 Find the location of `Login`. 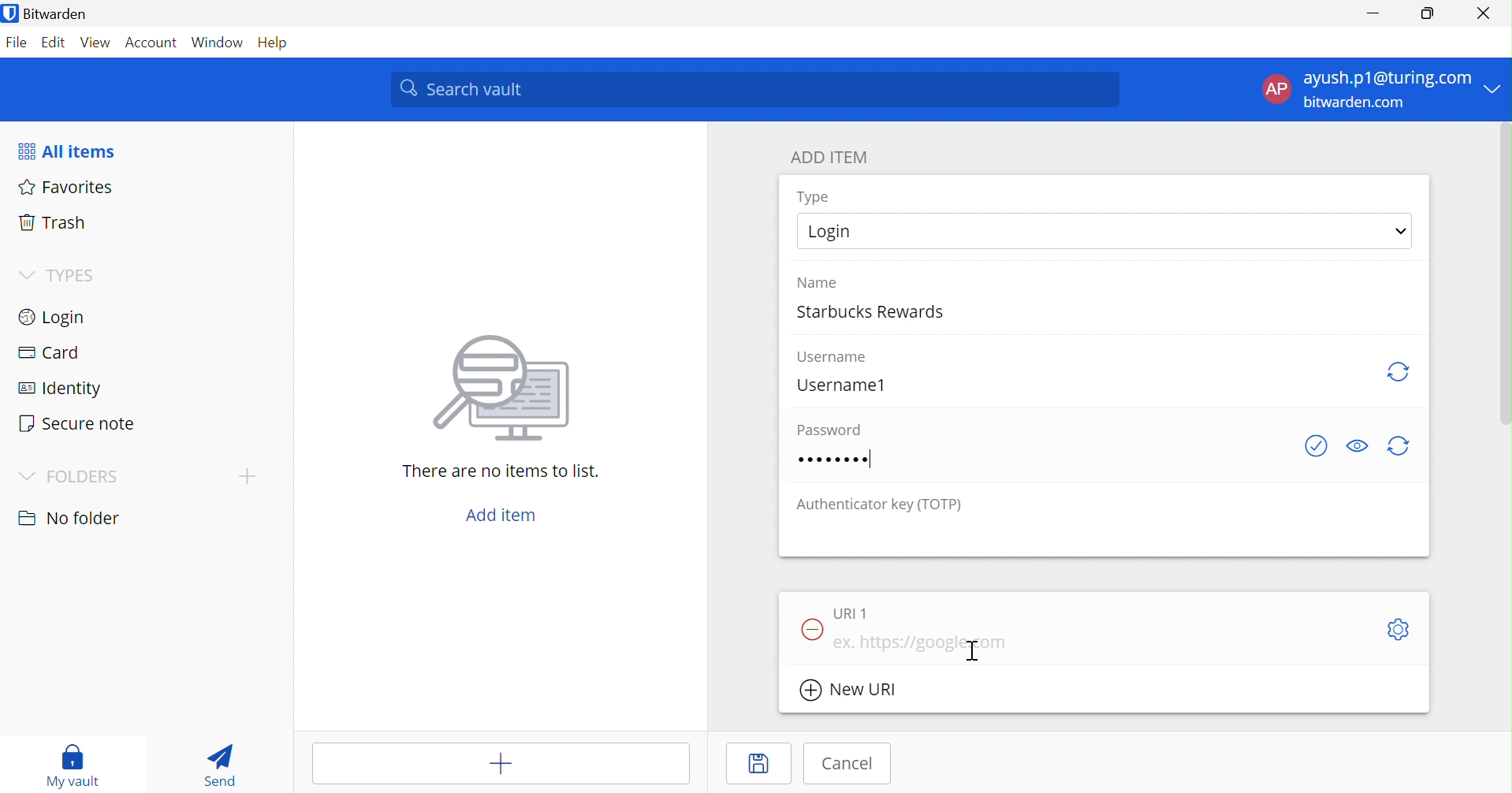

Login is located at coordinates (836, 229).